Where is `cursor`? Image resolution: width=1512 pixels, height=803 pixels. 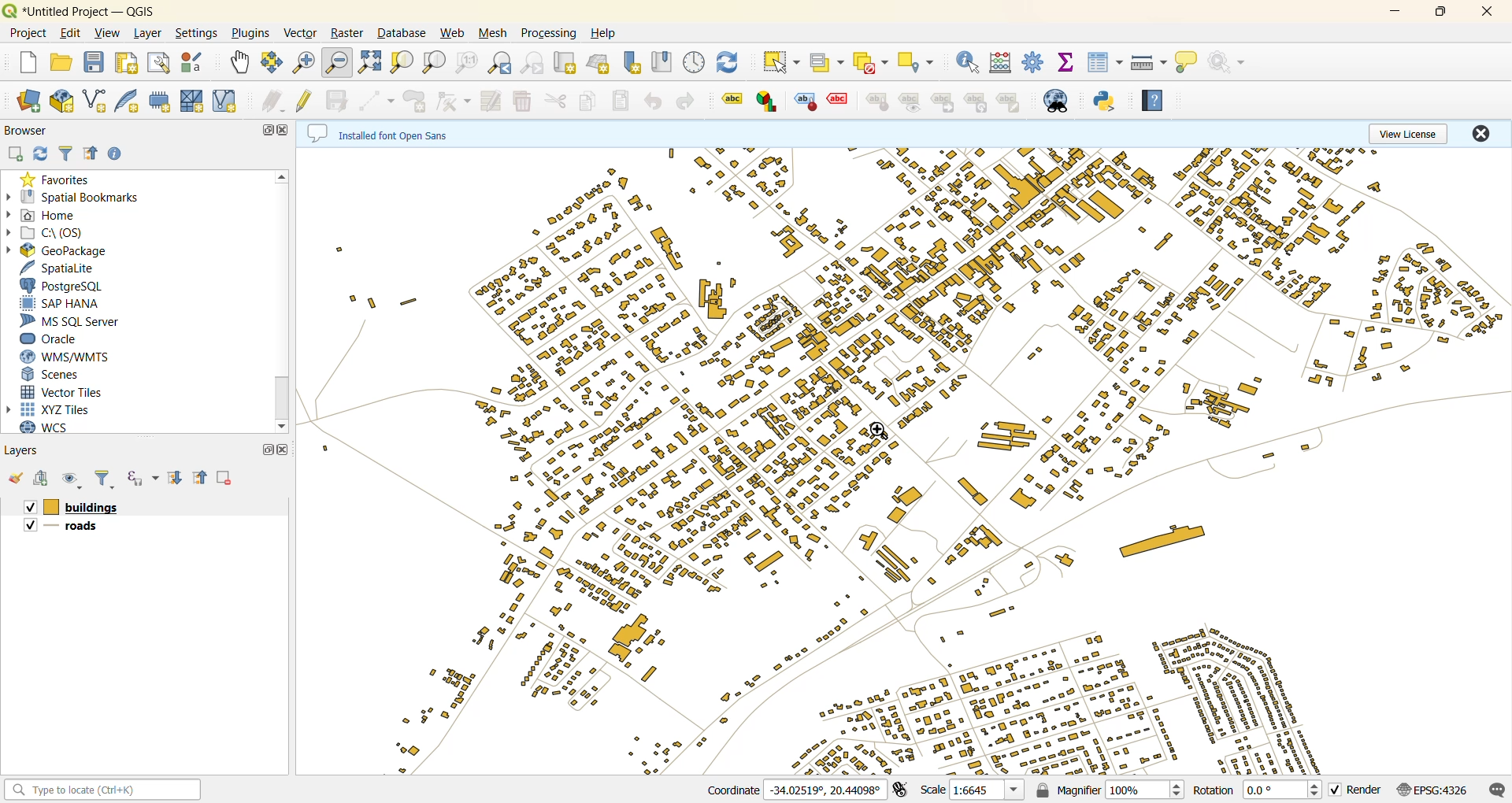 cursor is located at coordinates (882, 430).